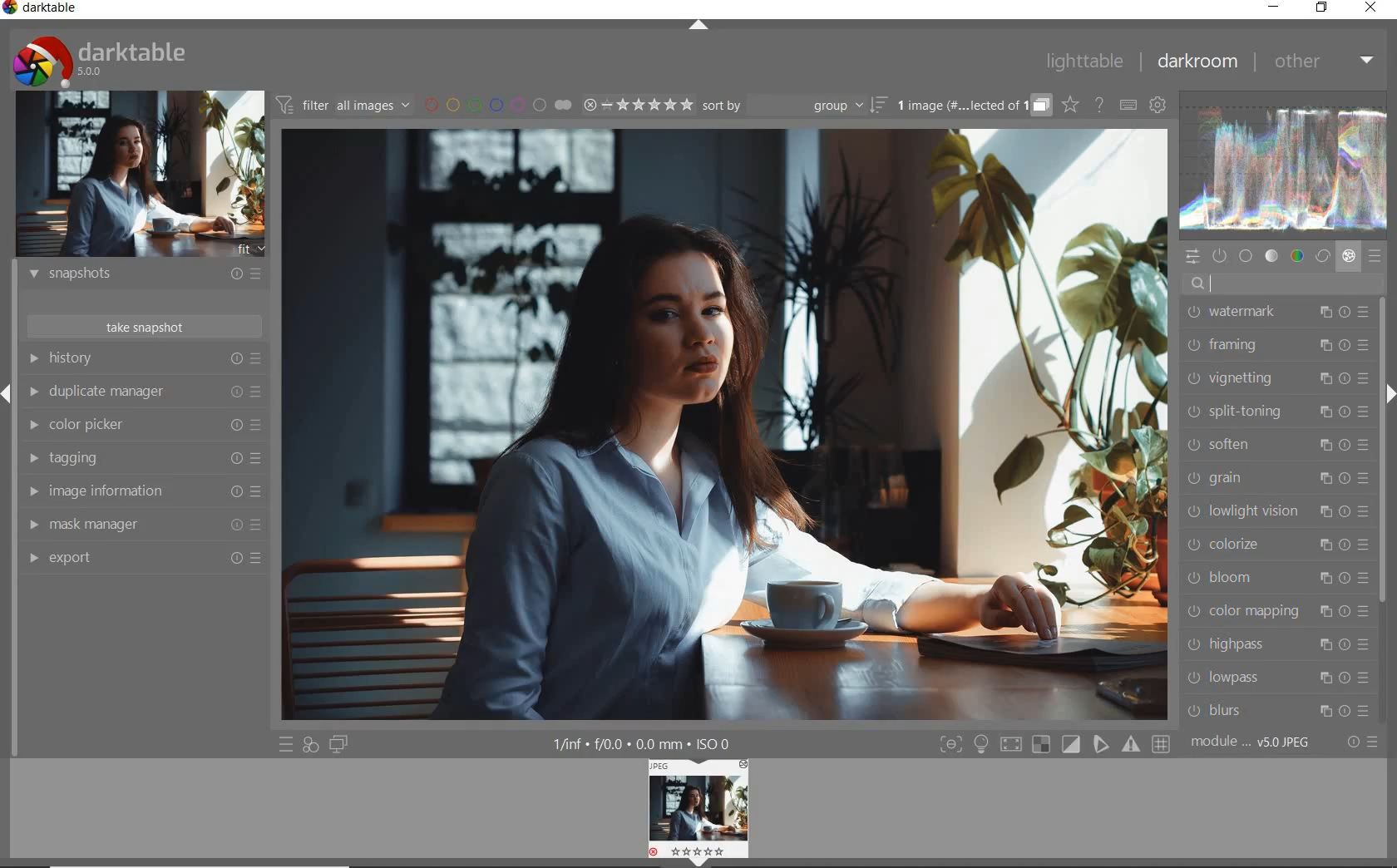  Describe the element at coordinates (1128, 105) in the screenshot. I see `set keyboard shortcuts` at that location.